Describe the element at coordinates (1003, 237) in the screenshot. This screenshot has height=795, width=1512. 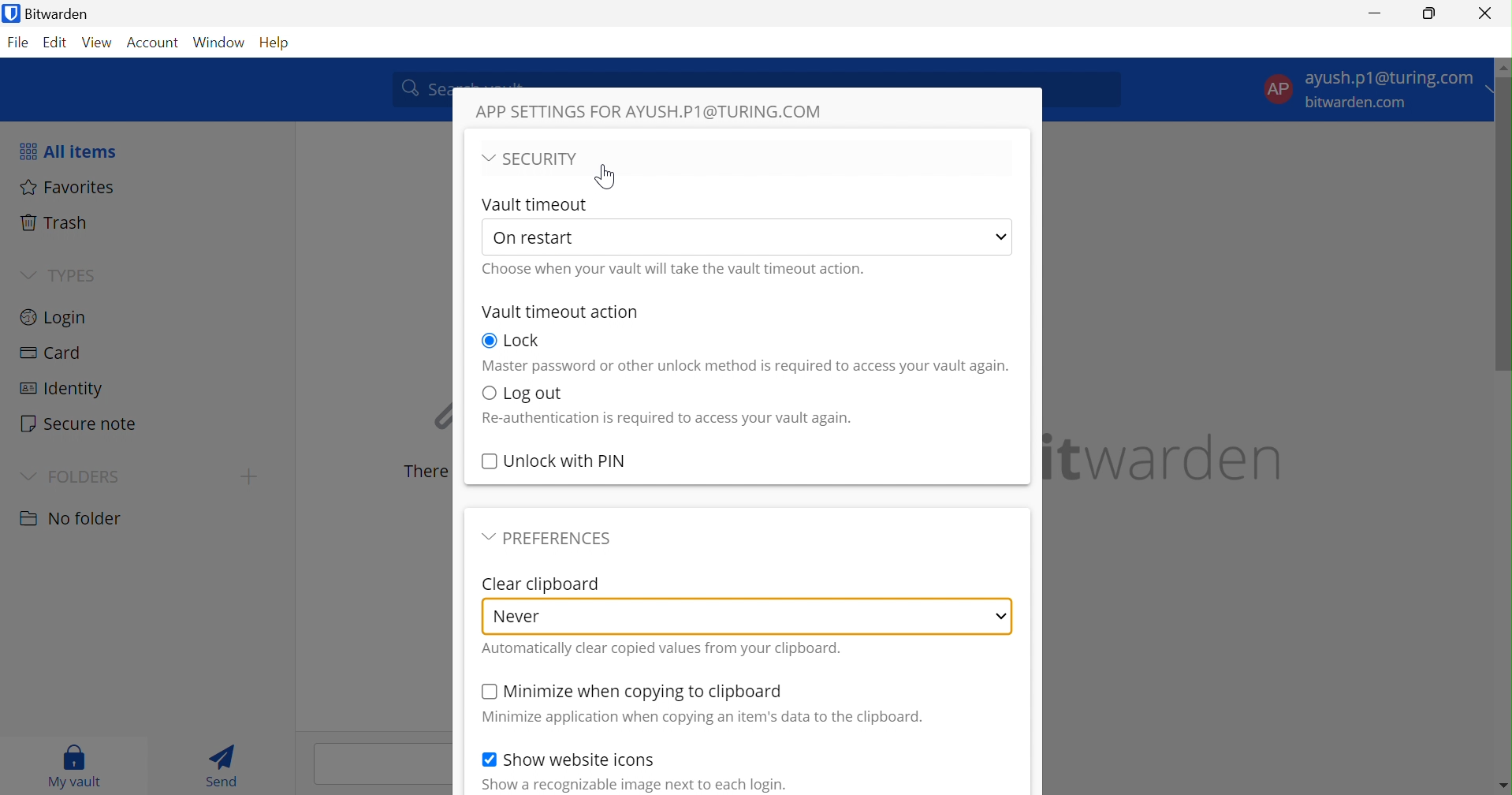
I see `Drop Down` at that location.